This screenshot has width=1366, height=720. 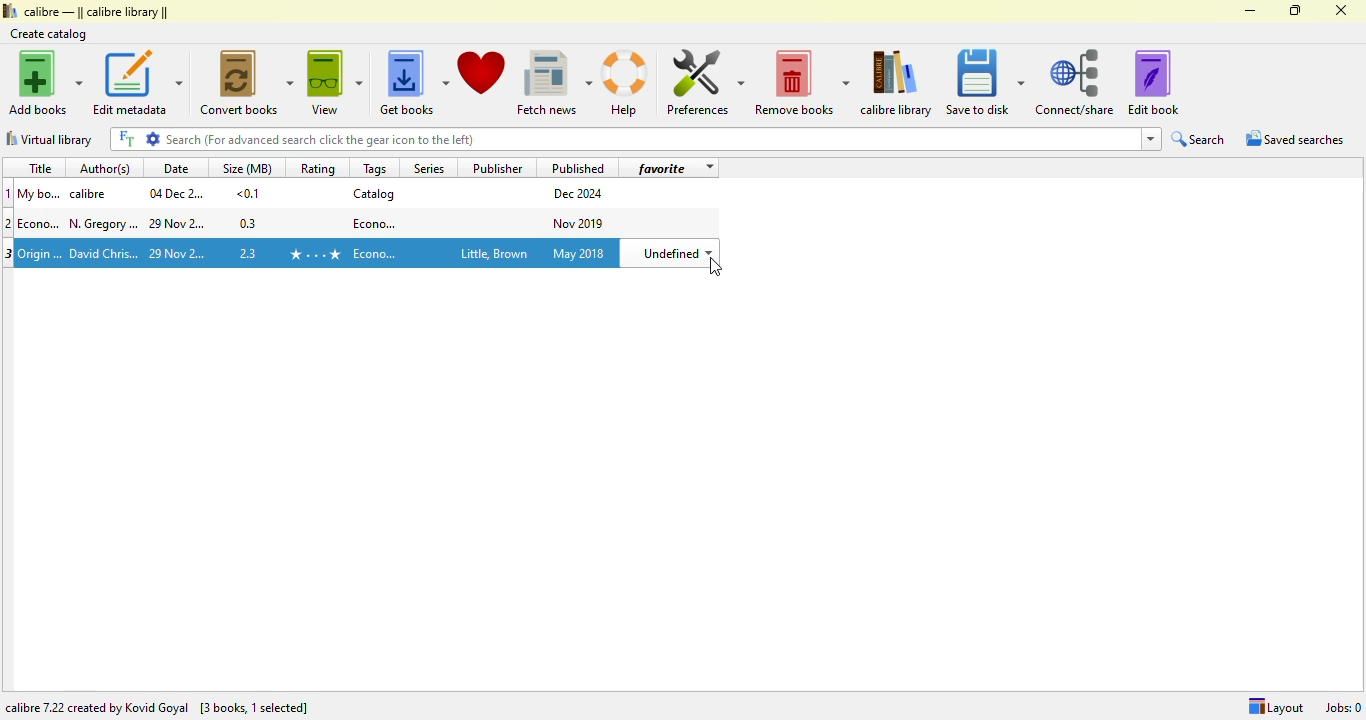 What do you see at coordinates (1340, 10) in the screenshot?
I see `close` at bounding box center [1340, 10].